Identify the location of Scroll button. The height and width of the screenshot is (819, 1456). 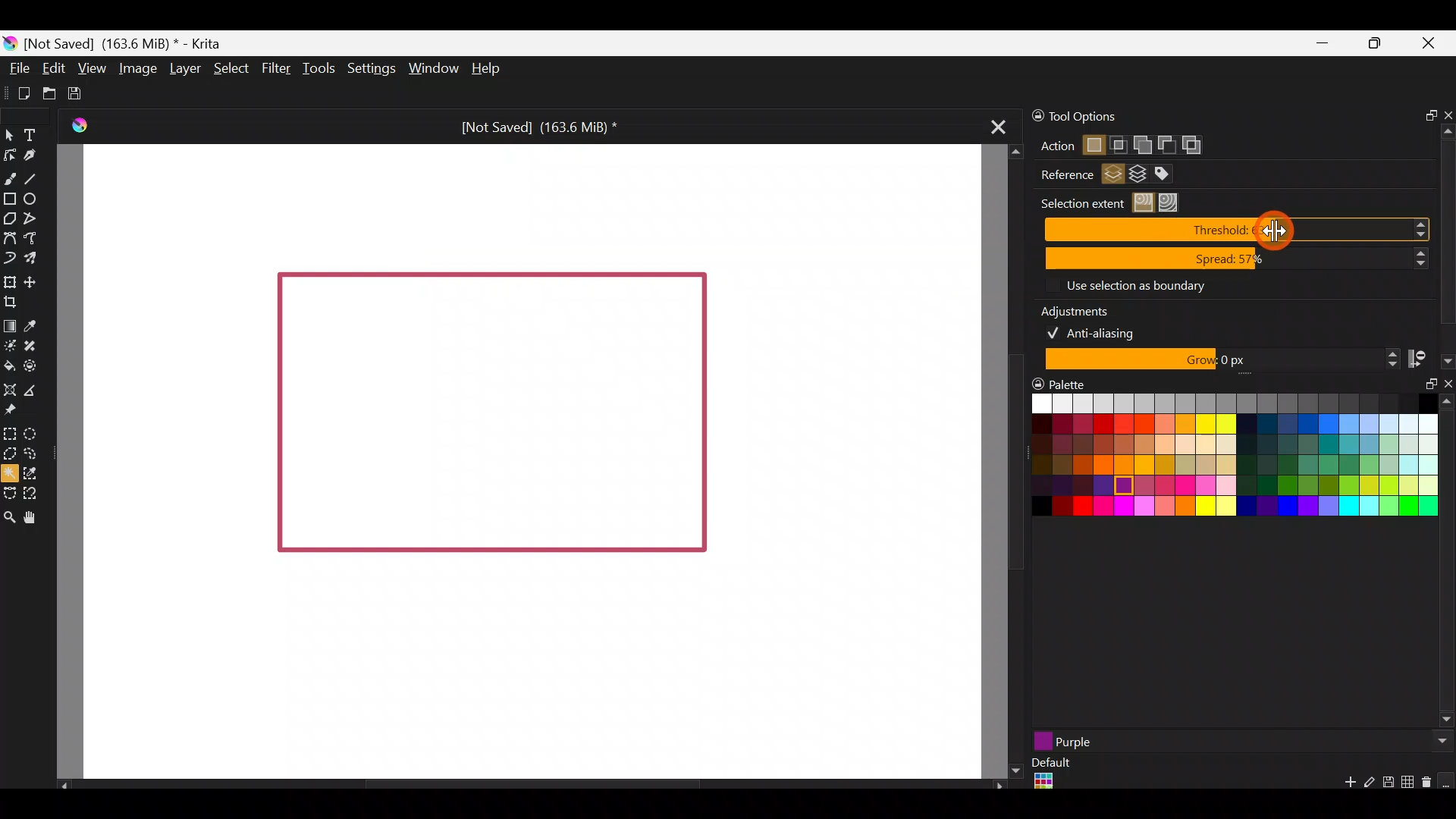
(1439, 741).